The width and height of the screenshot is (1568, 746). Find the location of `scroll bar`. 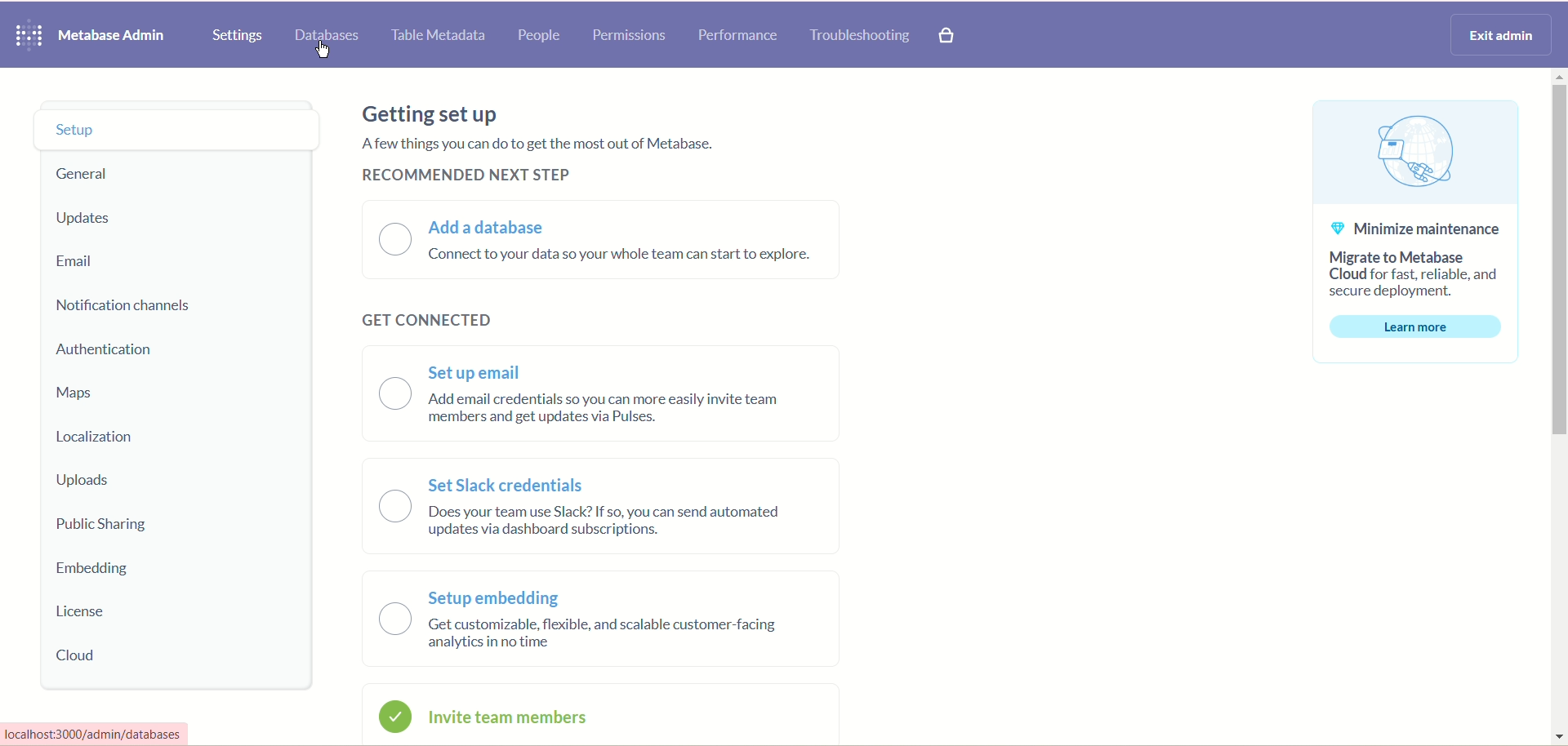

scroll bar is located at coordinates (1554, 407).